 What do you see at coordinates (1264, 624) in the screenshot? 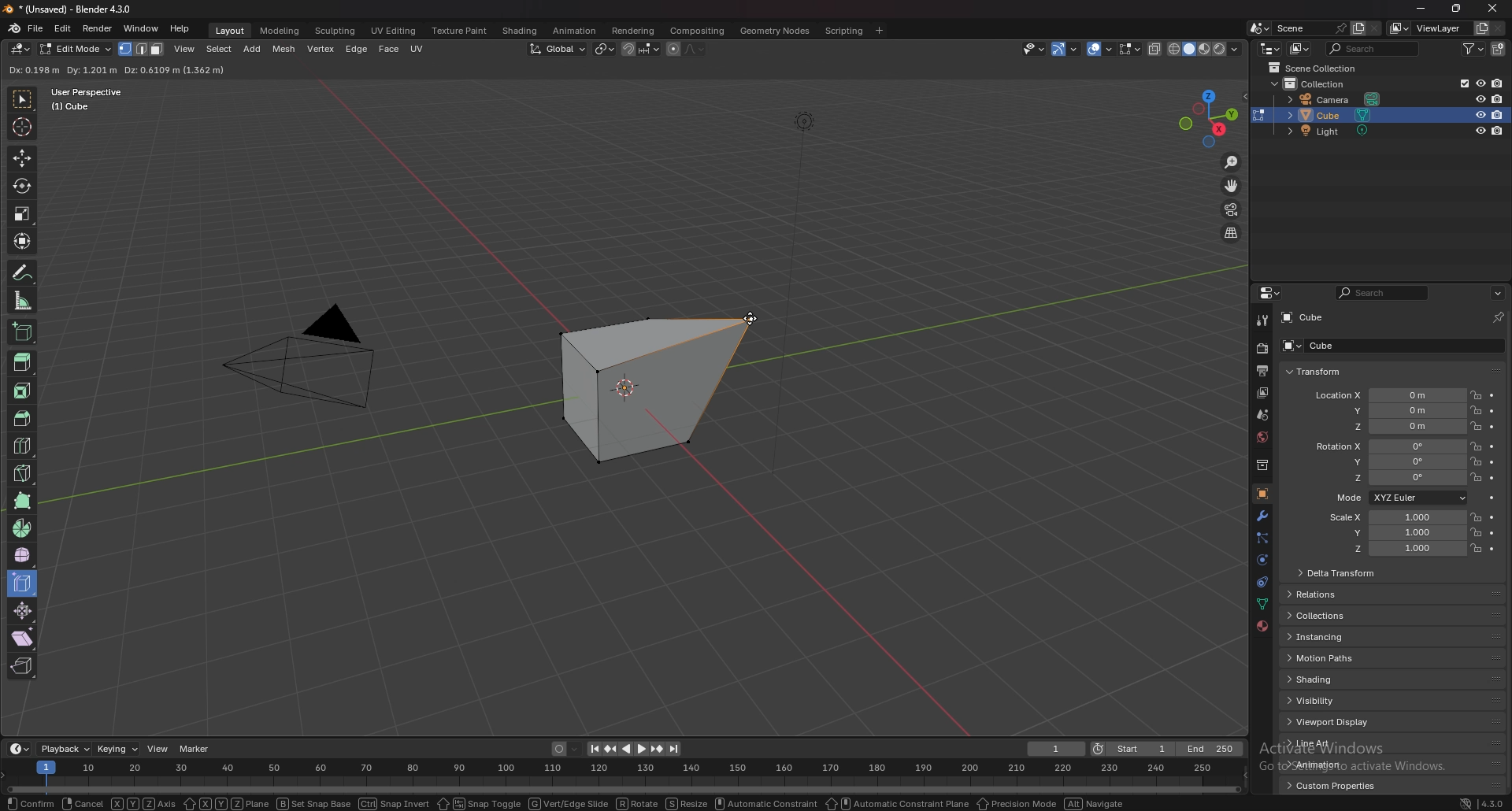
I see `material` at bounding box center [1264, 624].